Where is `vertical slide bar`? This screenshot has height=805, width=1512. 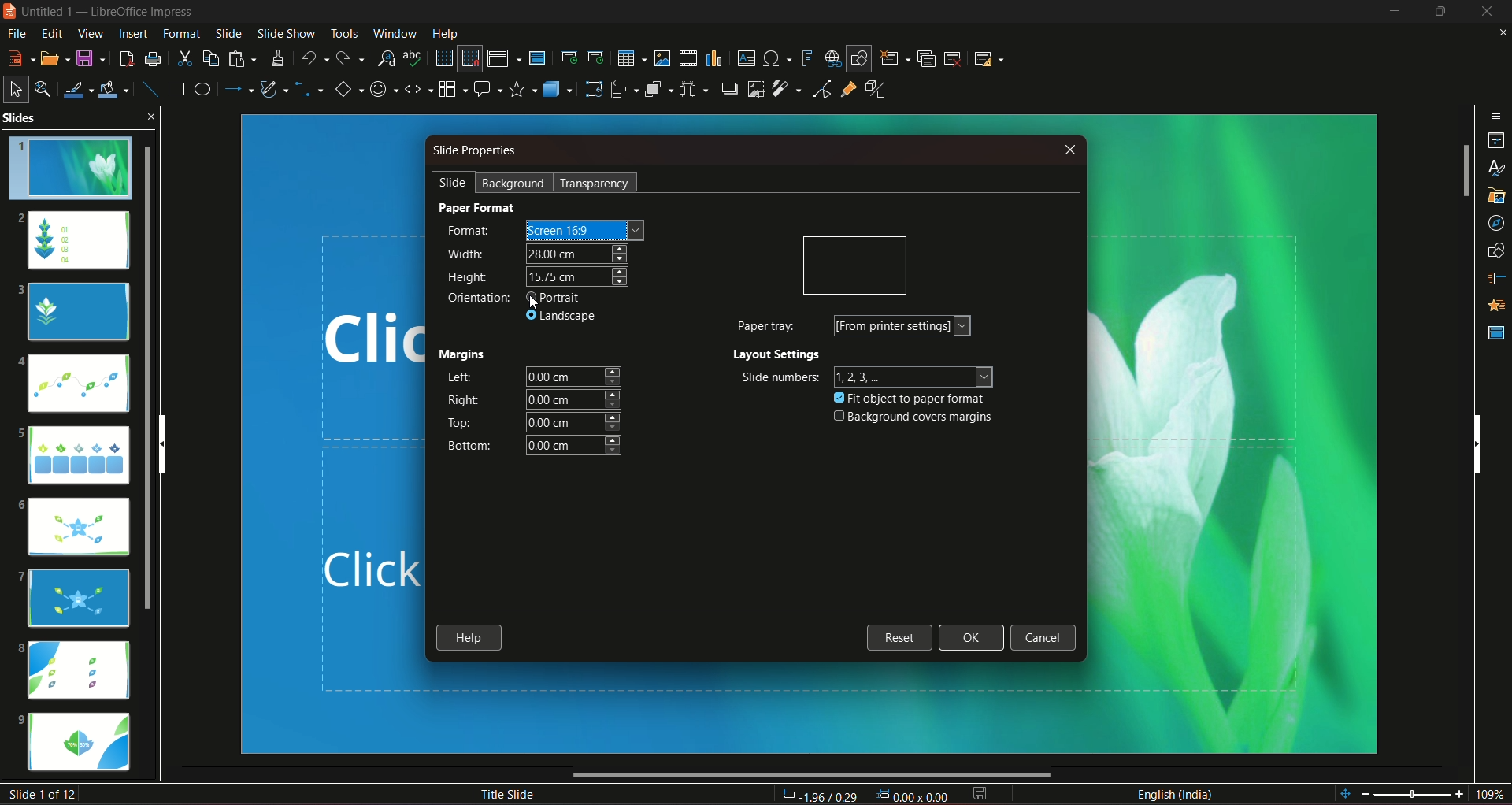 vertical slide bar is located at coordinates (1464, 172).